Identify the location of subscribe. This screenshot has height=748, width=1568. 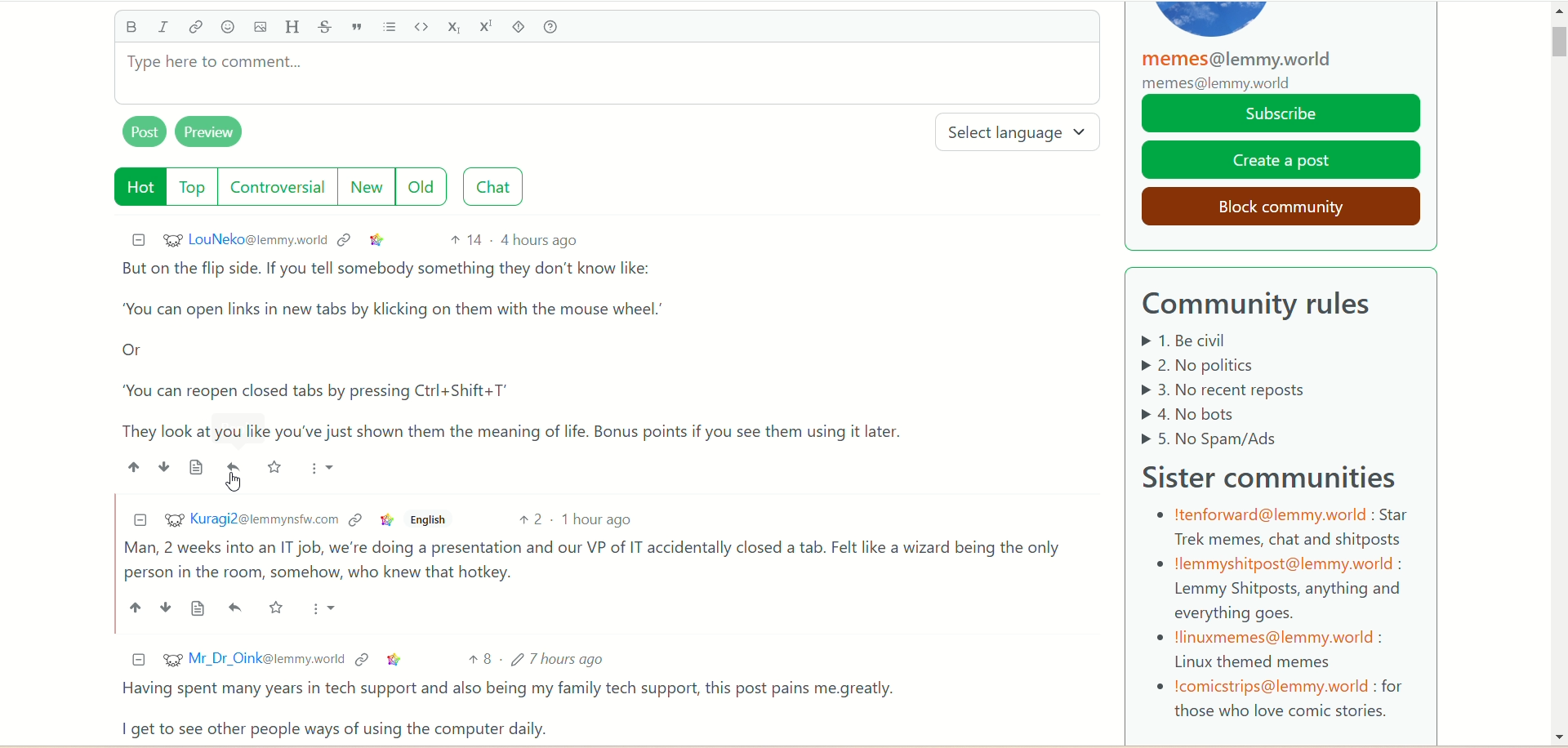
(1282, 114).